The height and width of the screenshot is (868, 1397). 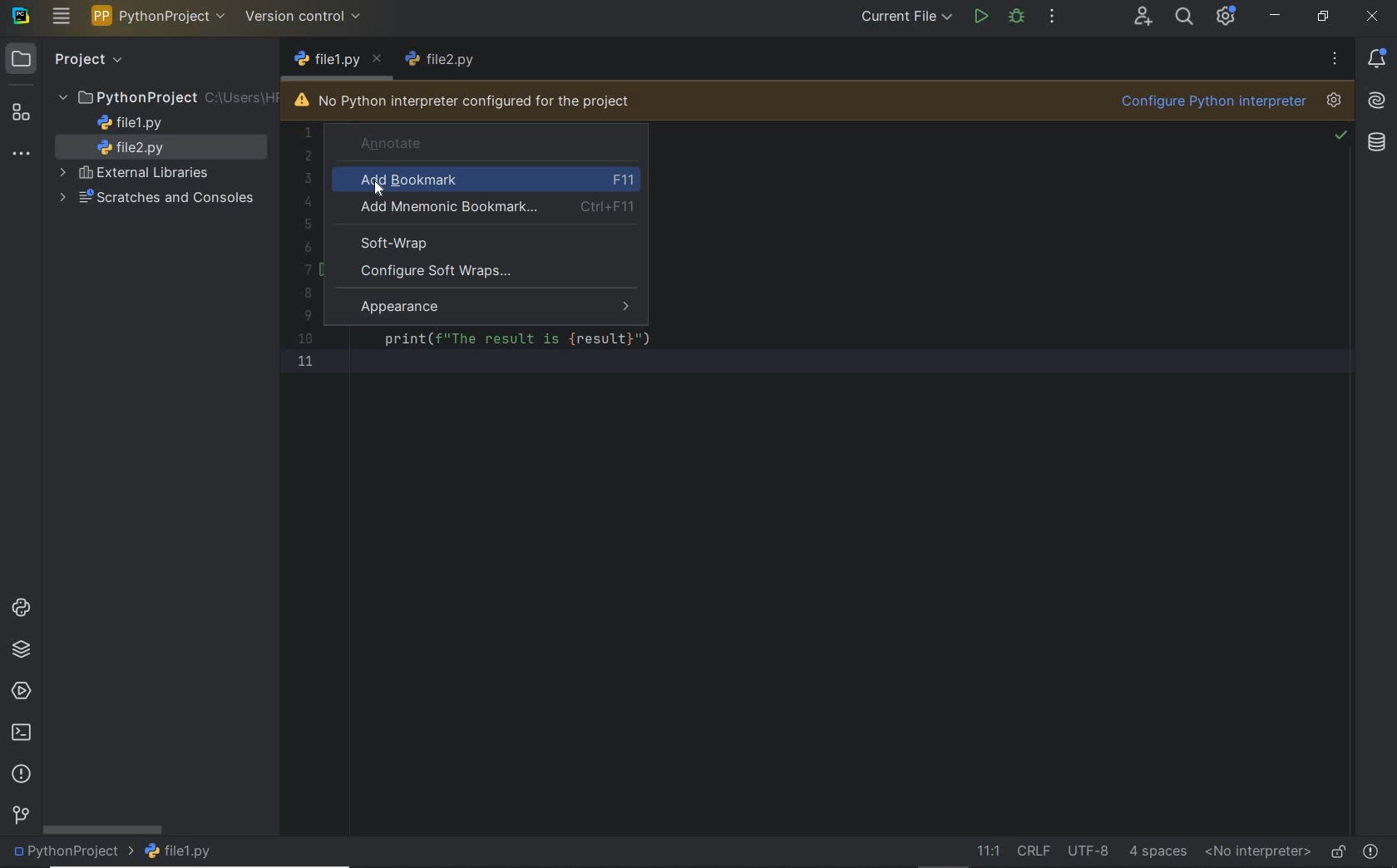 I want to click on no problem, so click(x=1340, y=137).